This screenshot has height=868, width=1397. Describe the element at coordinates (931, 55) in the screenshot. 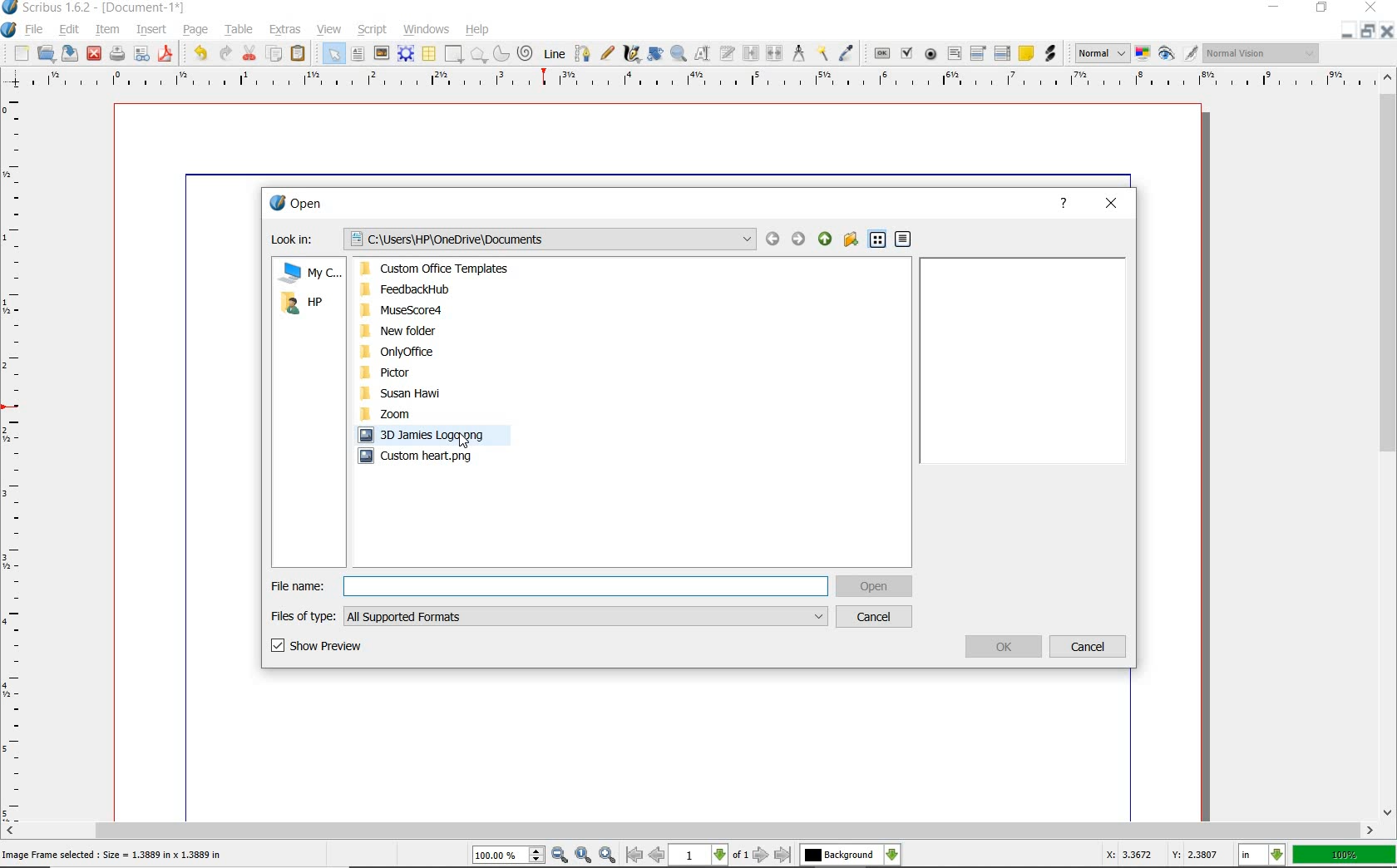

I see `pdf radio button` at that location.